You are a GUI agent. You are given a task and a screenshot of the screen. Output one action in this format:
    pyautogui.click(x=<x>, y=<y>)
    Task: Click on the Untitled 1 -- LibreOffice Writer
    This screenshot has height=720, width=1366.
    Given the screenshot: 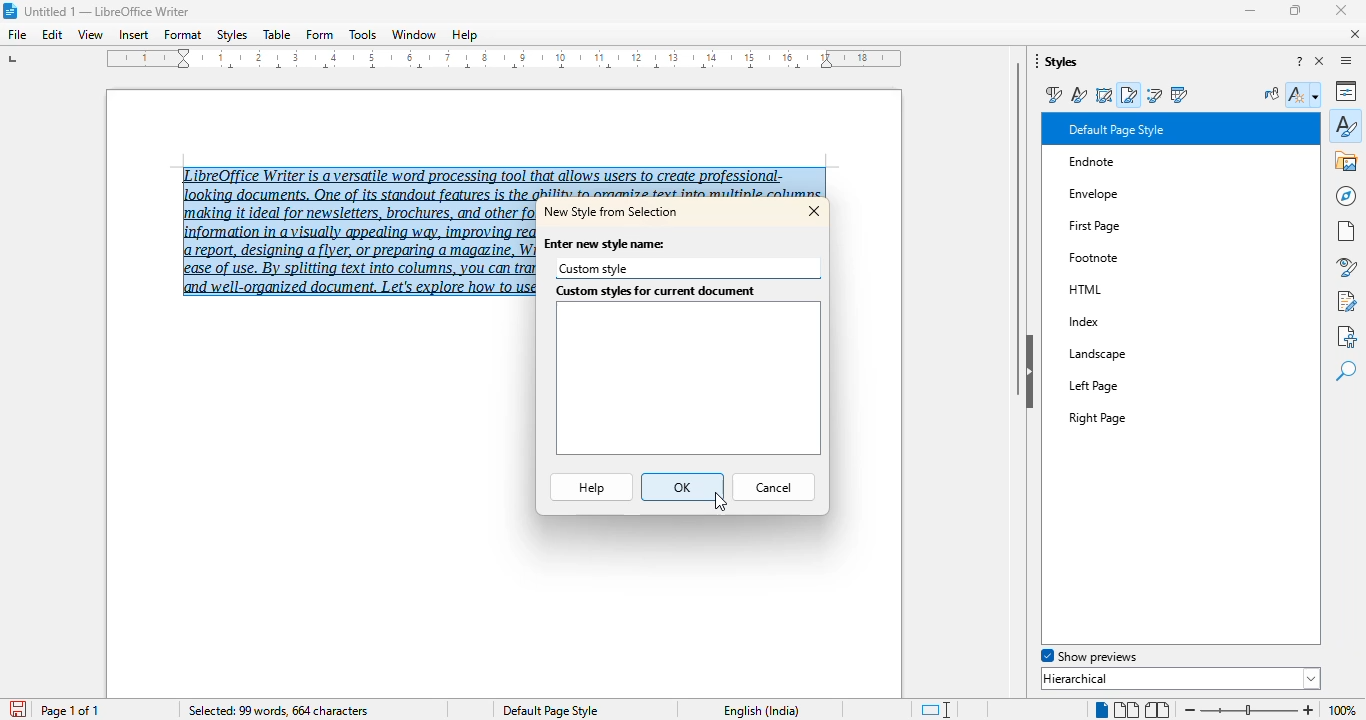 What is the action you would take?
    pyautogui.click(x=110, y=13)
    